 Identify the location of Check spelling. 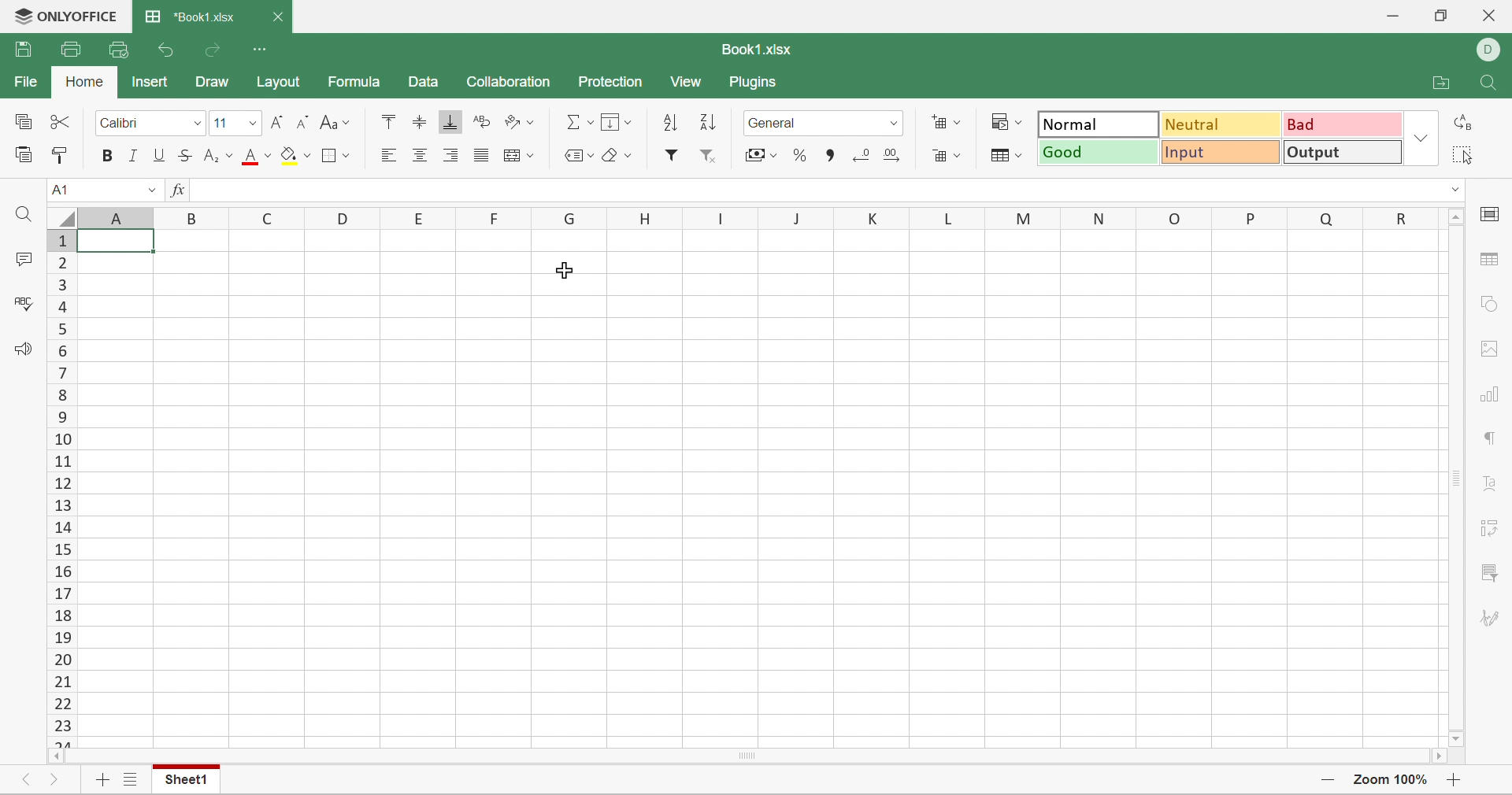
(27, 307).